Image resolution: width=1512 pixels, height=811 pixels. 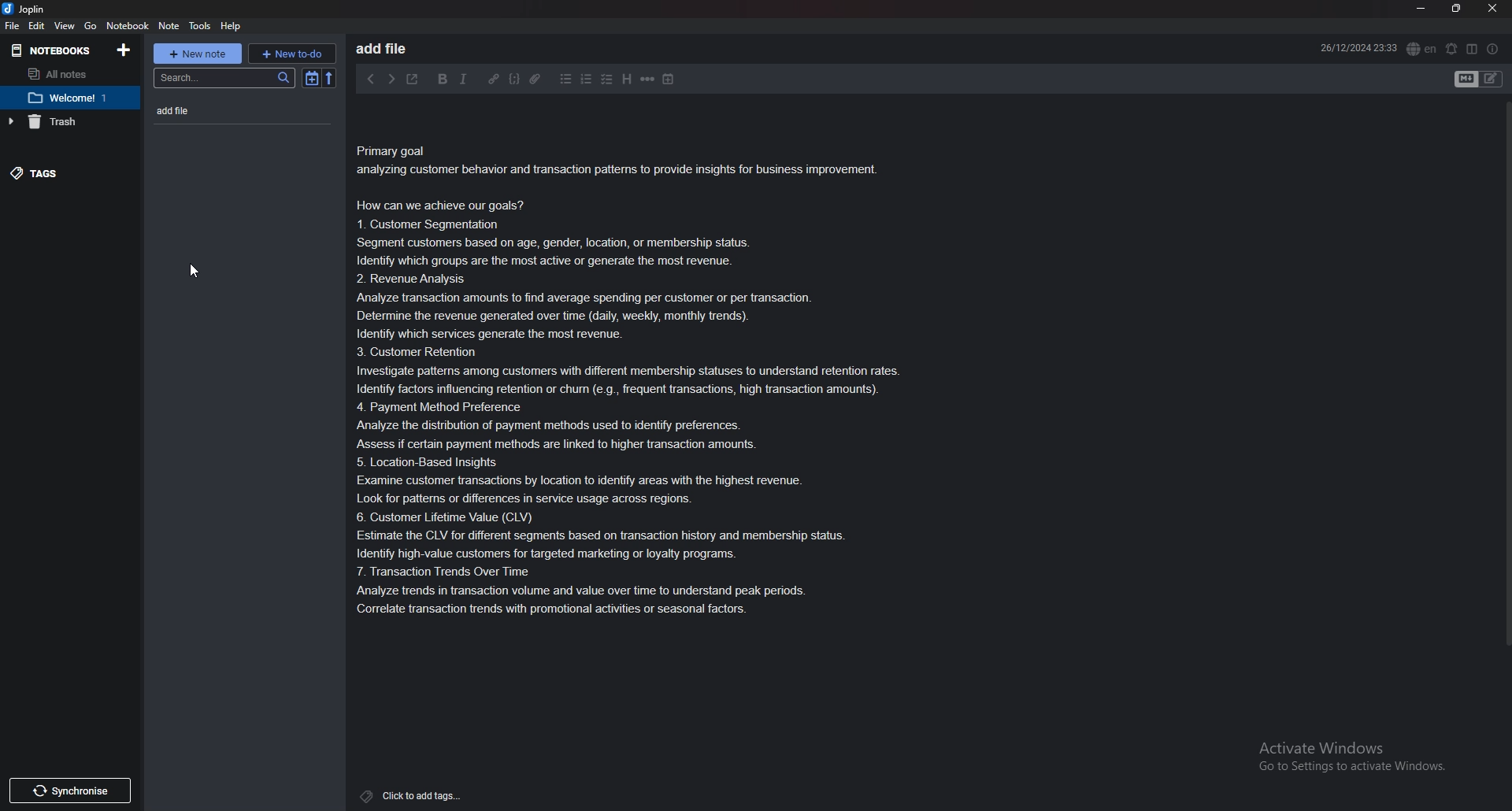 I want to click on bold, so click(x=443, y=79).